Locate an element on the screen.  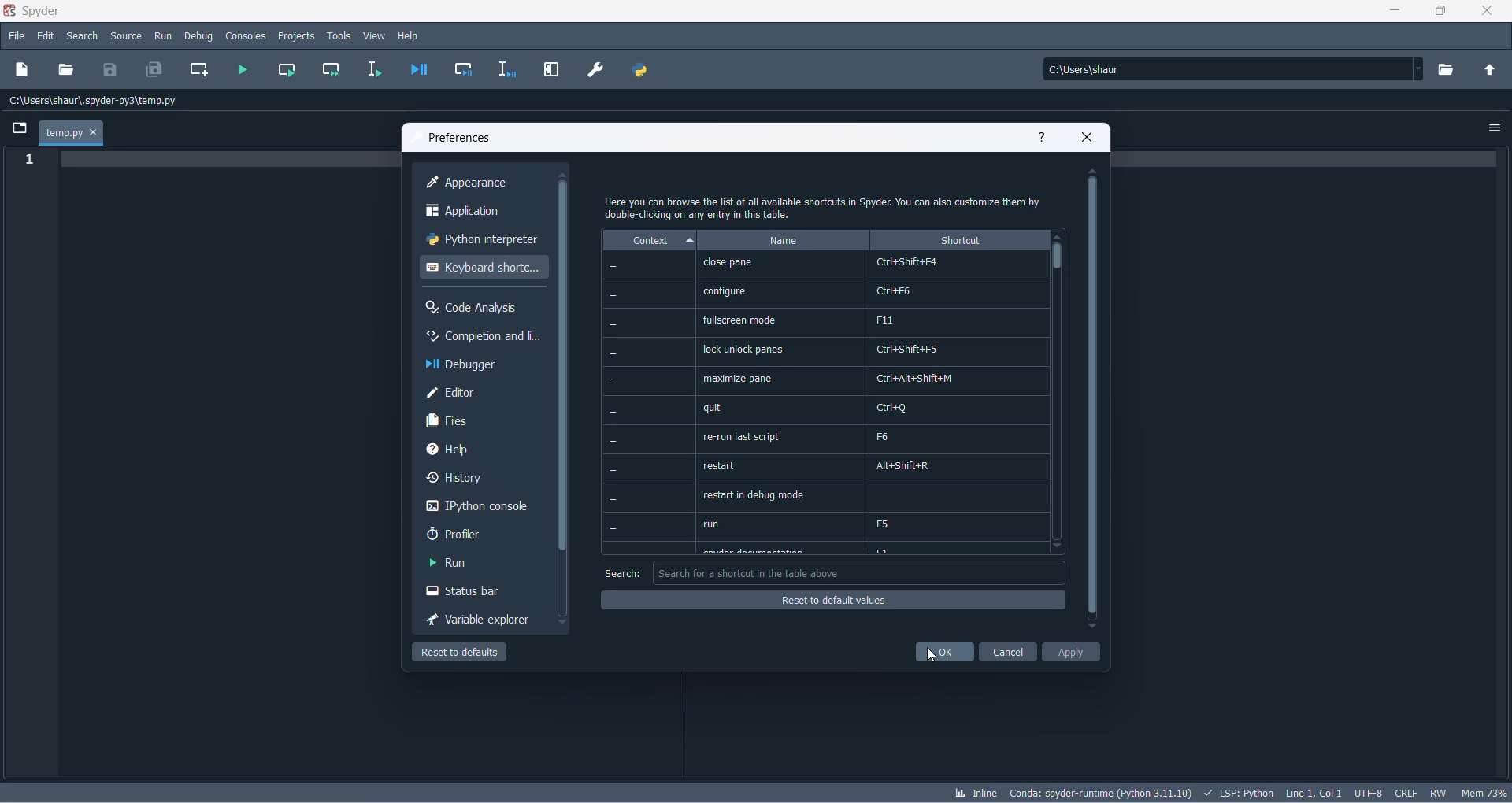
context is located at coordinates (649, 240).